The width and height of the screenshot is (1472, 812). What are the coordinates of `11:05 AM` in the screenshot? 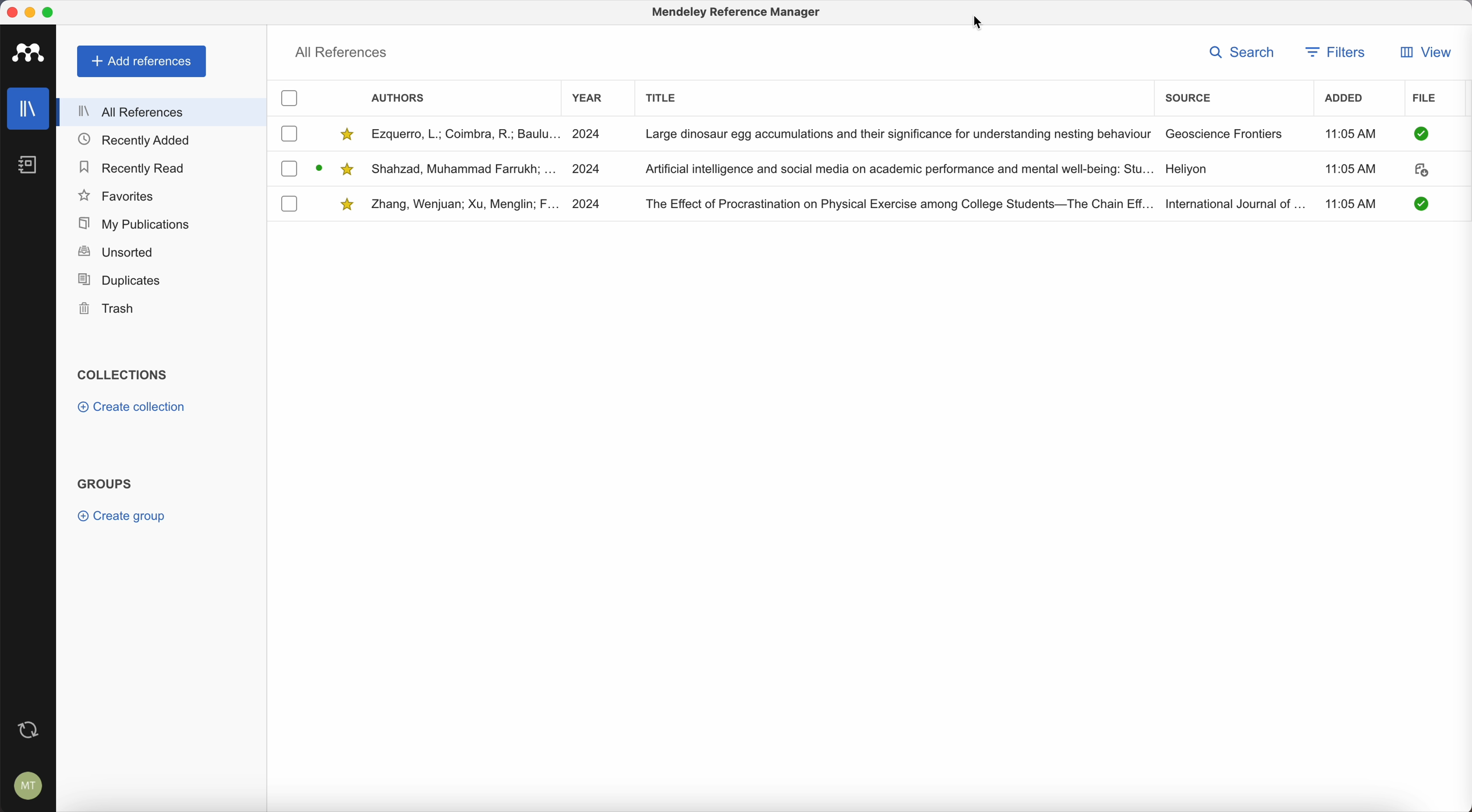 It's located at (1350, 170).